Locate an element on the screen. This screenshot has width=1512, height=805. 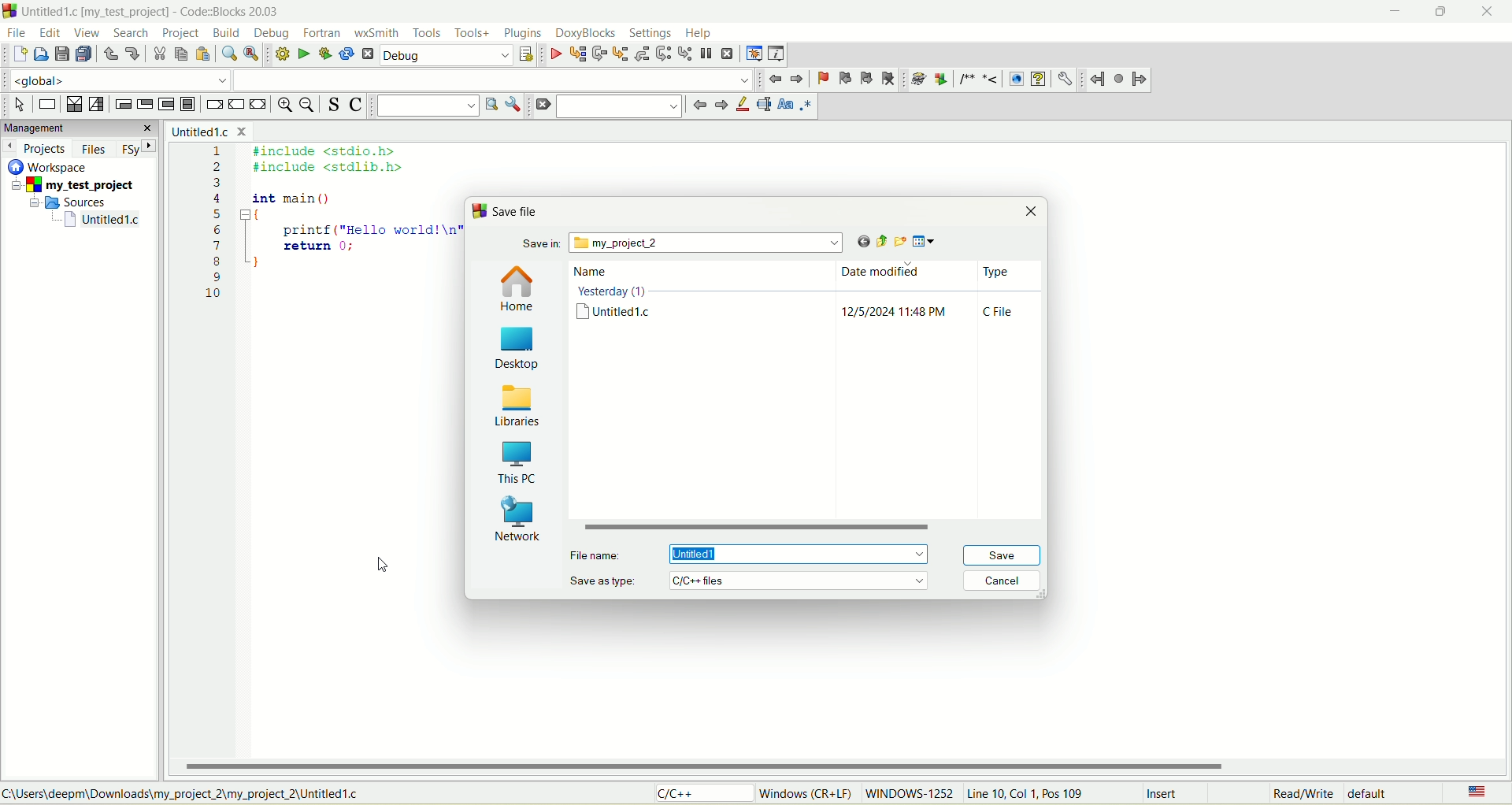
Fsy is located at coordinates (138, 147).